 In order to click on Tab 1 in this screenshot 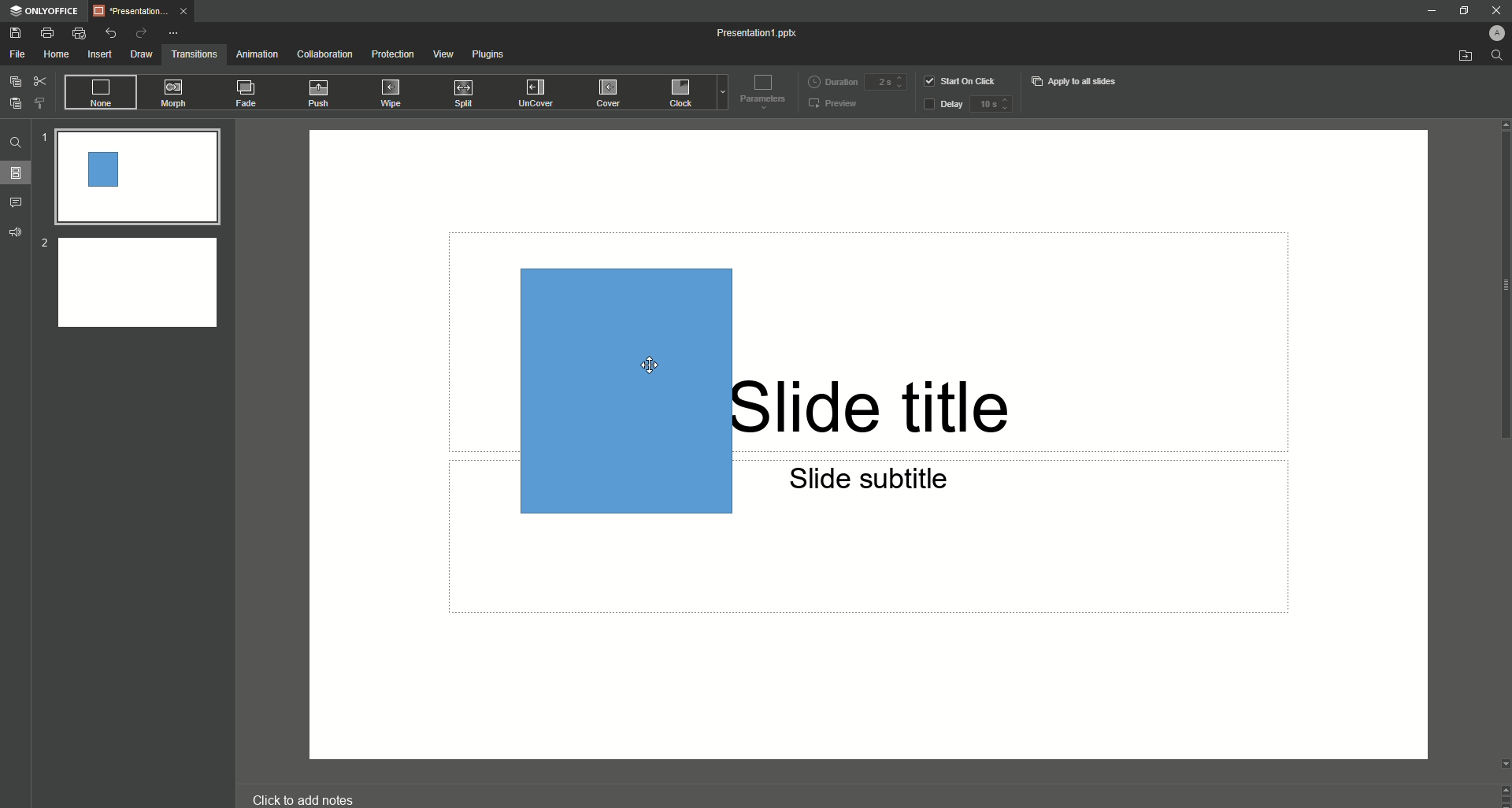, I will do `click(144, 11)`.